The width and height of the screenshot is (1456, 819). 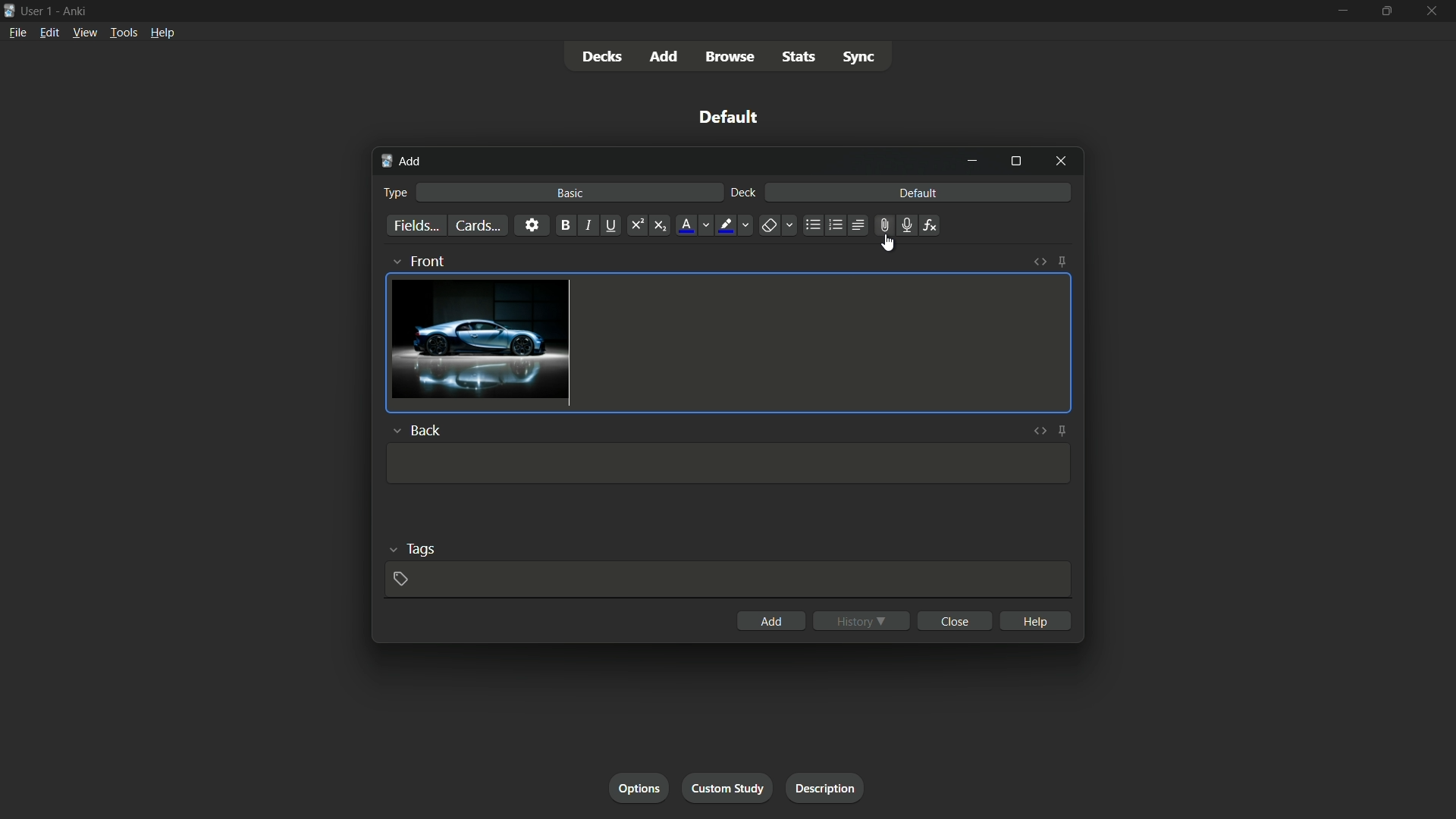 I want to click on deck name, so click(x=732, y=118).